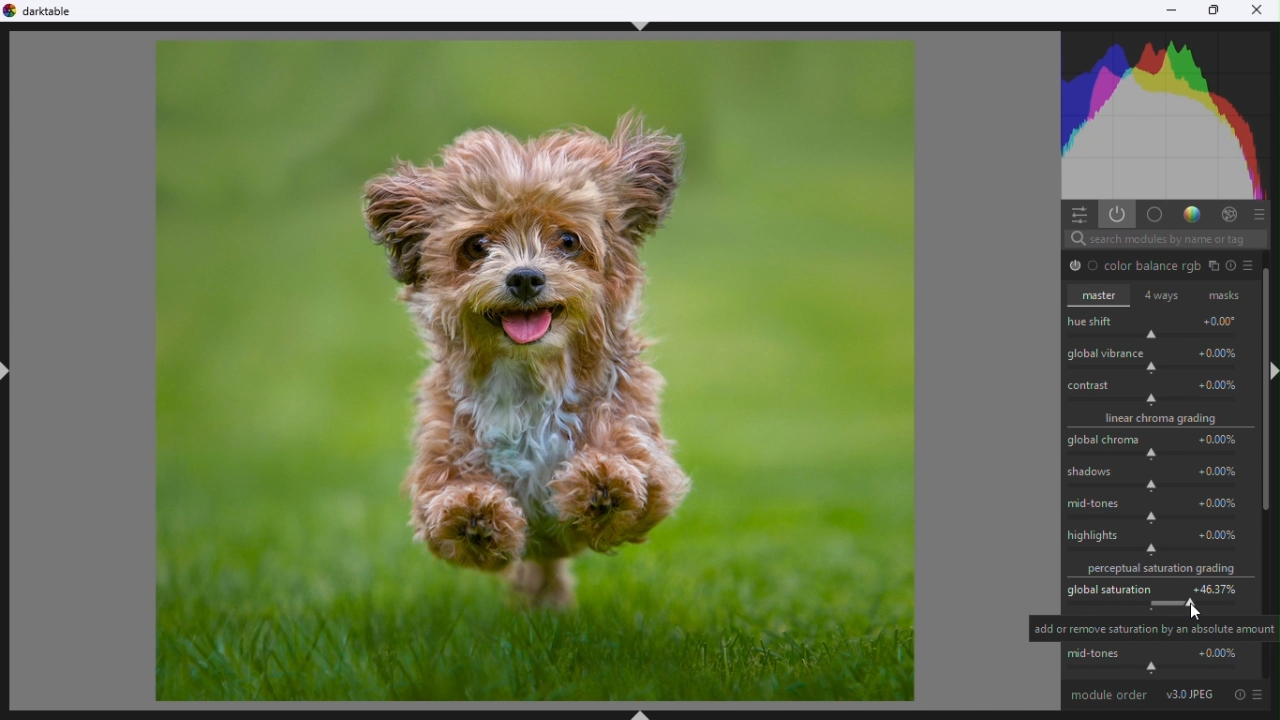 This screenshot has width=1280, height=720. I want to click on Global Croma, so click(1159, 447).